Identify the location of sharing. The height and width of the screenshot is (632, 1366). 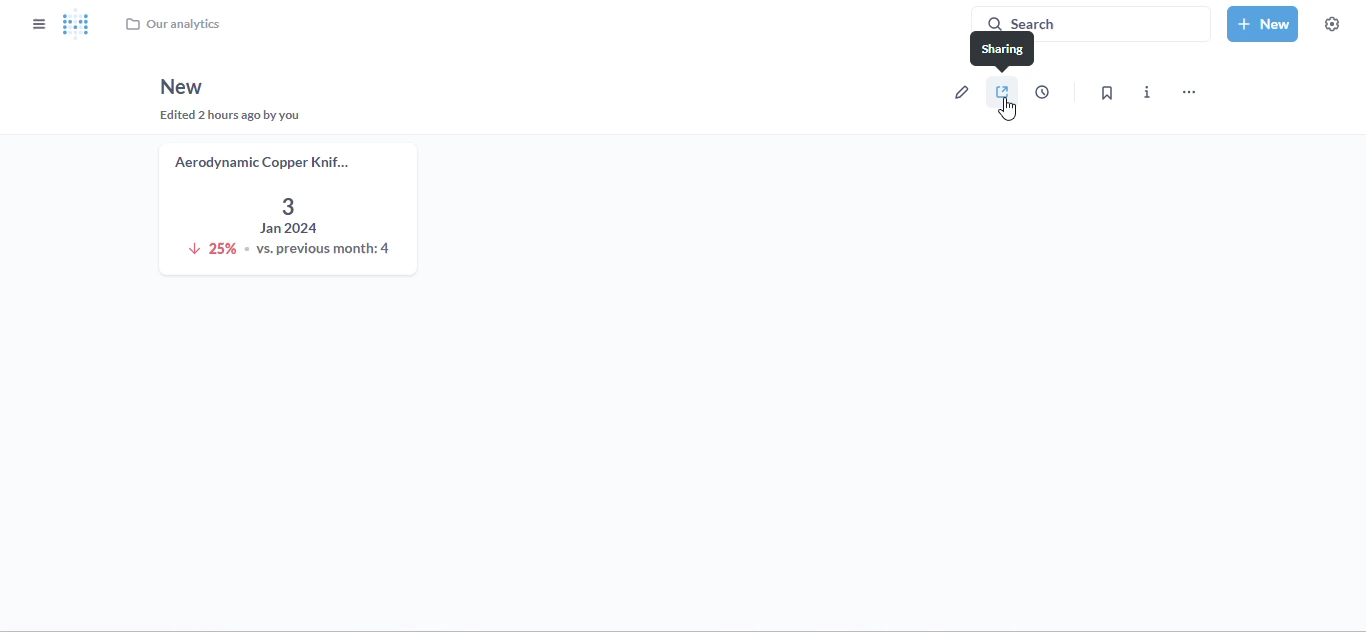
(1002, 55).